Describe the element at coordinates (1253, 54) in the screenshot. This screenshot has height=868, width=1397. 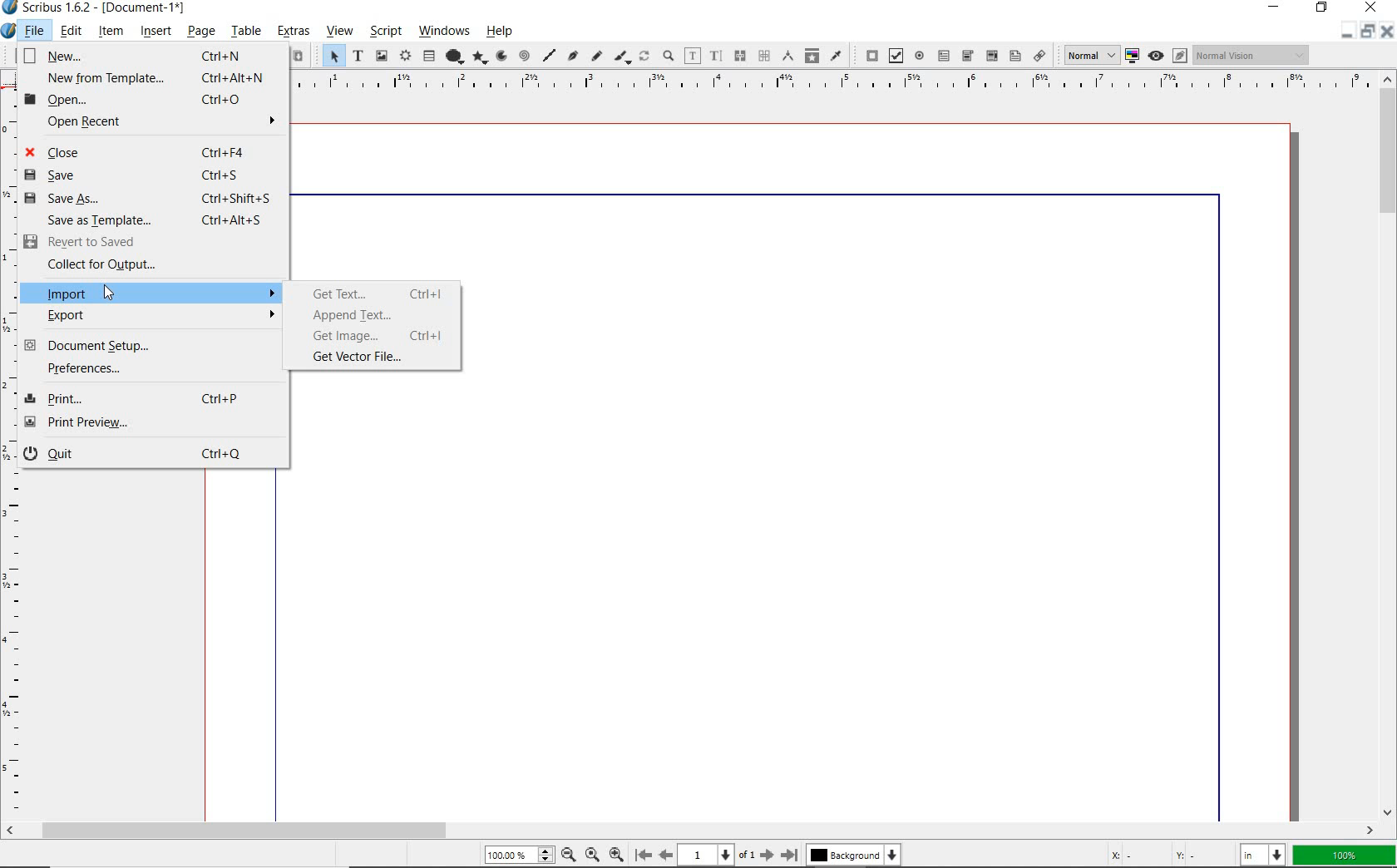
I see `Normal Vision` at that location.